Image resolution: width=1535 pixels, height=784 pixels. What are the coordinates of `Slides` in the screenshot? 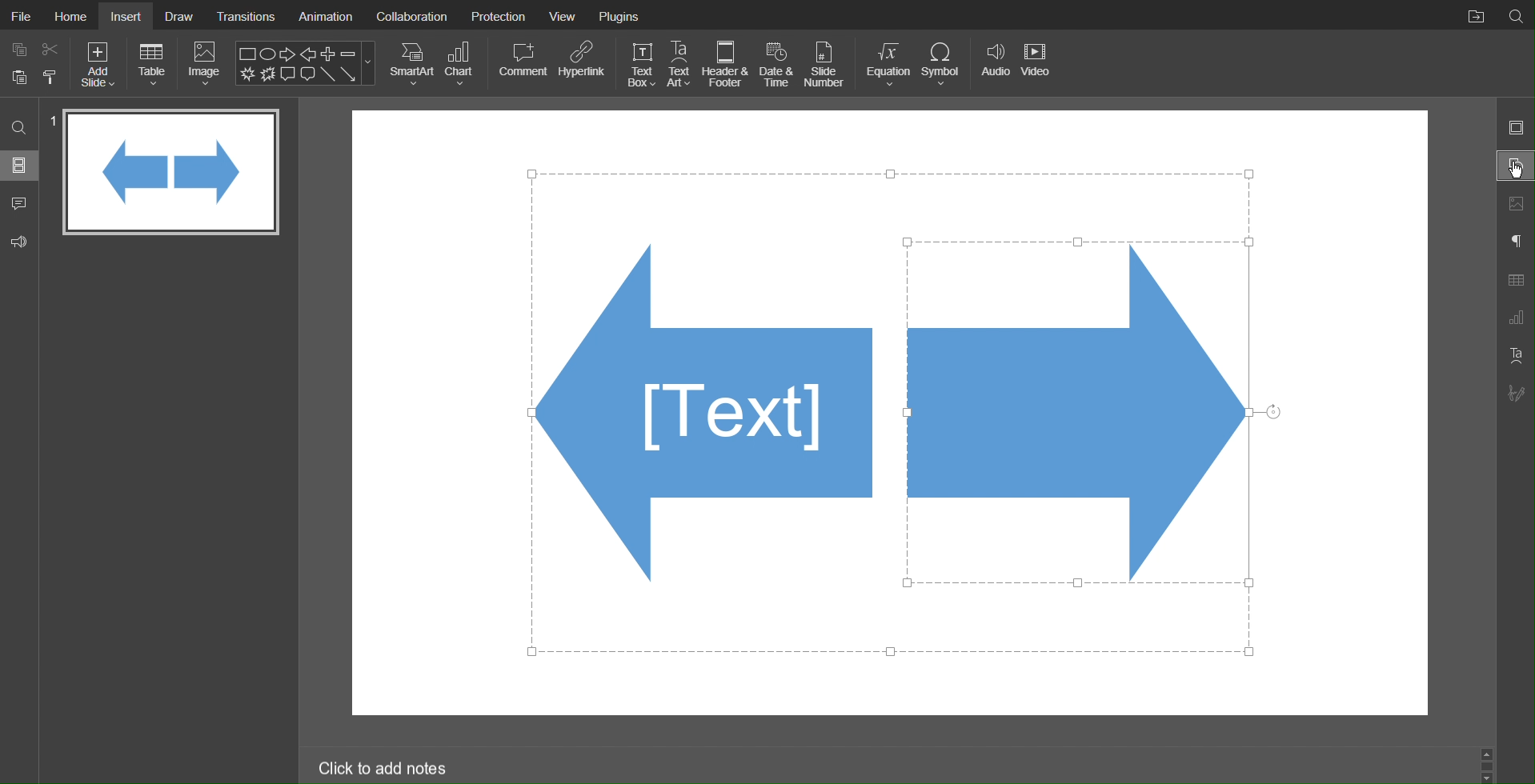 It's located at (19, 167).